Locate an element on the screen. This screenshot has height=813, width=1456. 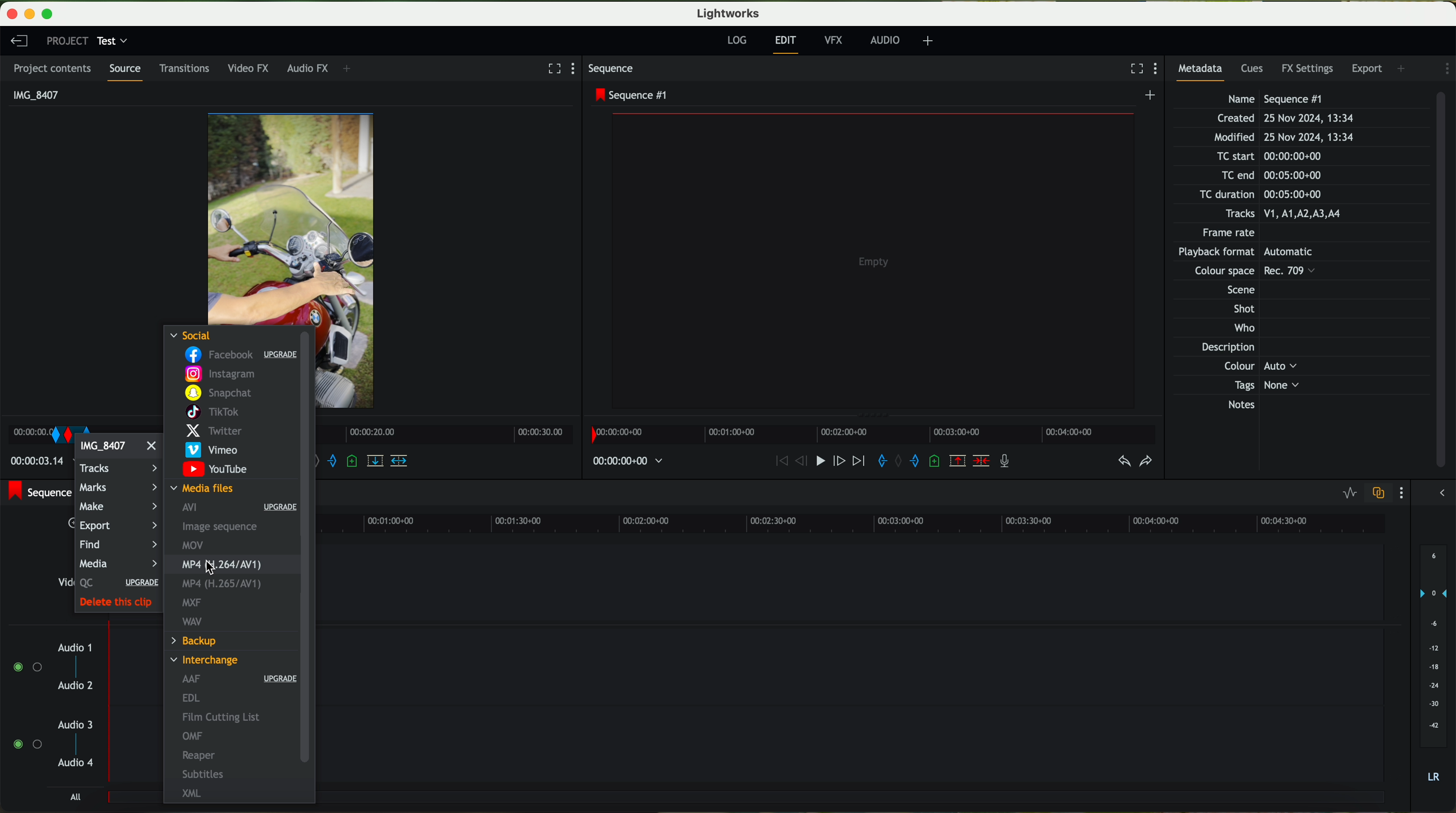
show settings menu is located at coordinates (1158, 70).